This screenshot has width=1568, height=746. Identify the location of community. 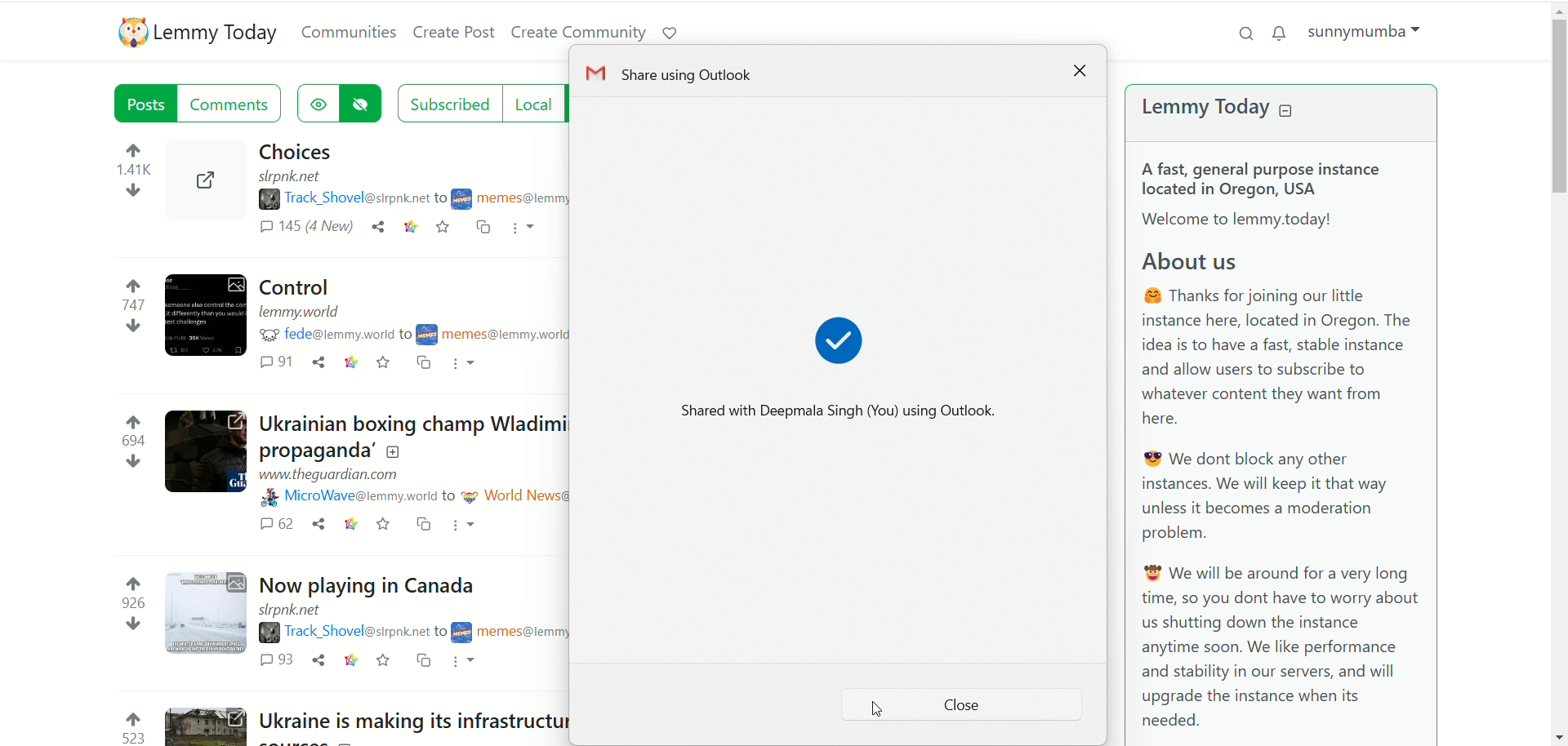
(519, 497).